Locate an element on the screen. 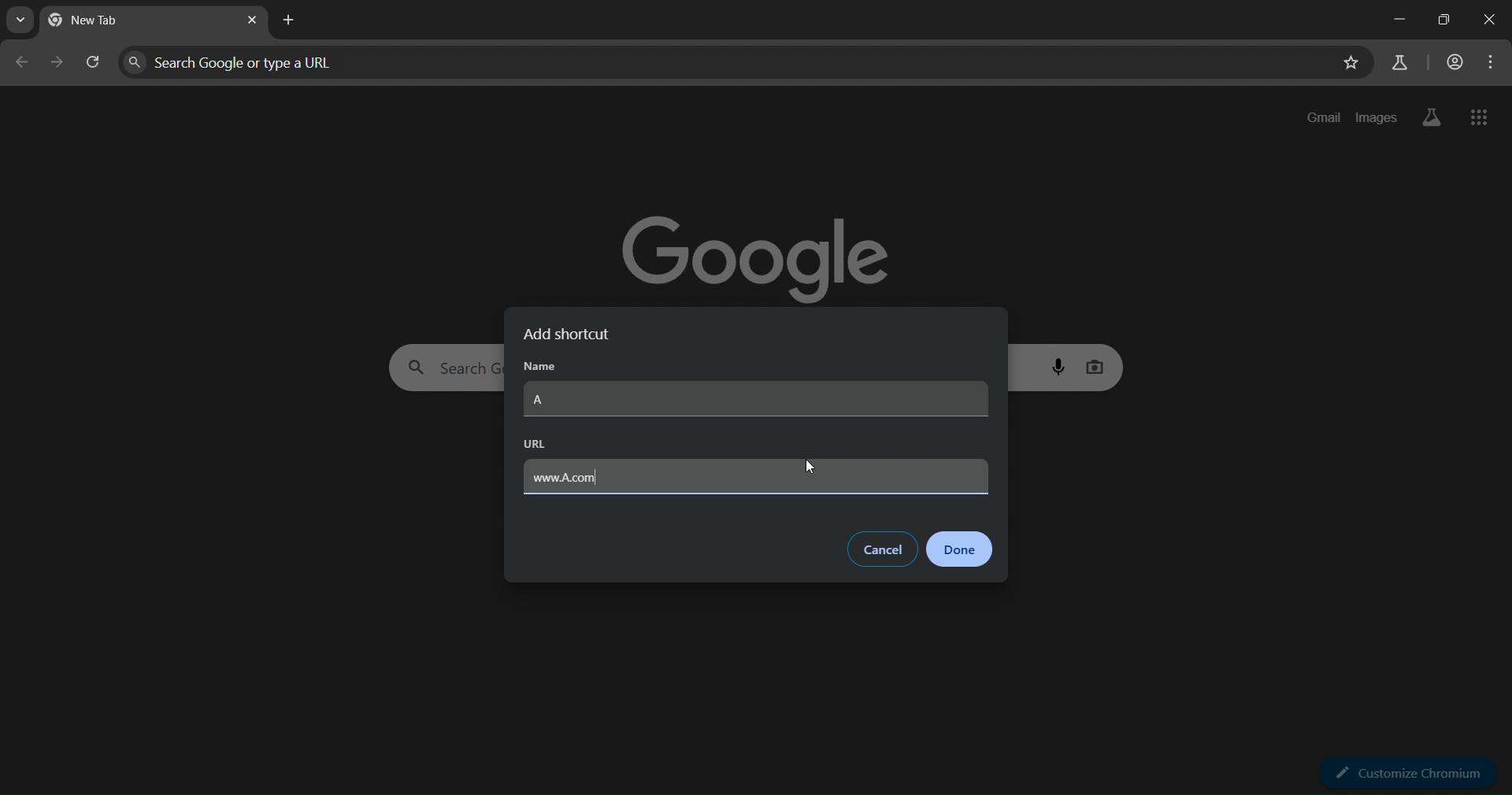 This screenshot has height=795, width=1512. www.A.com is located at coordinates (755, 475).